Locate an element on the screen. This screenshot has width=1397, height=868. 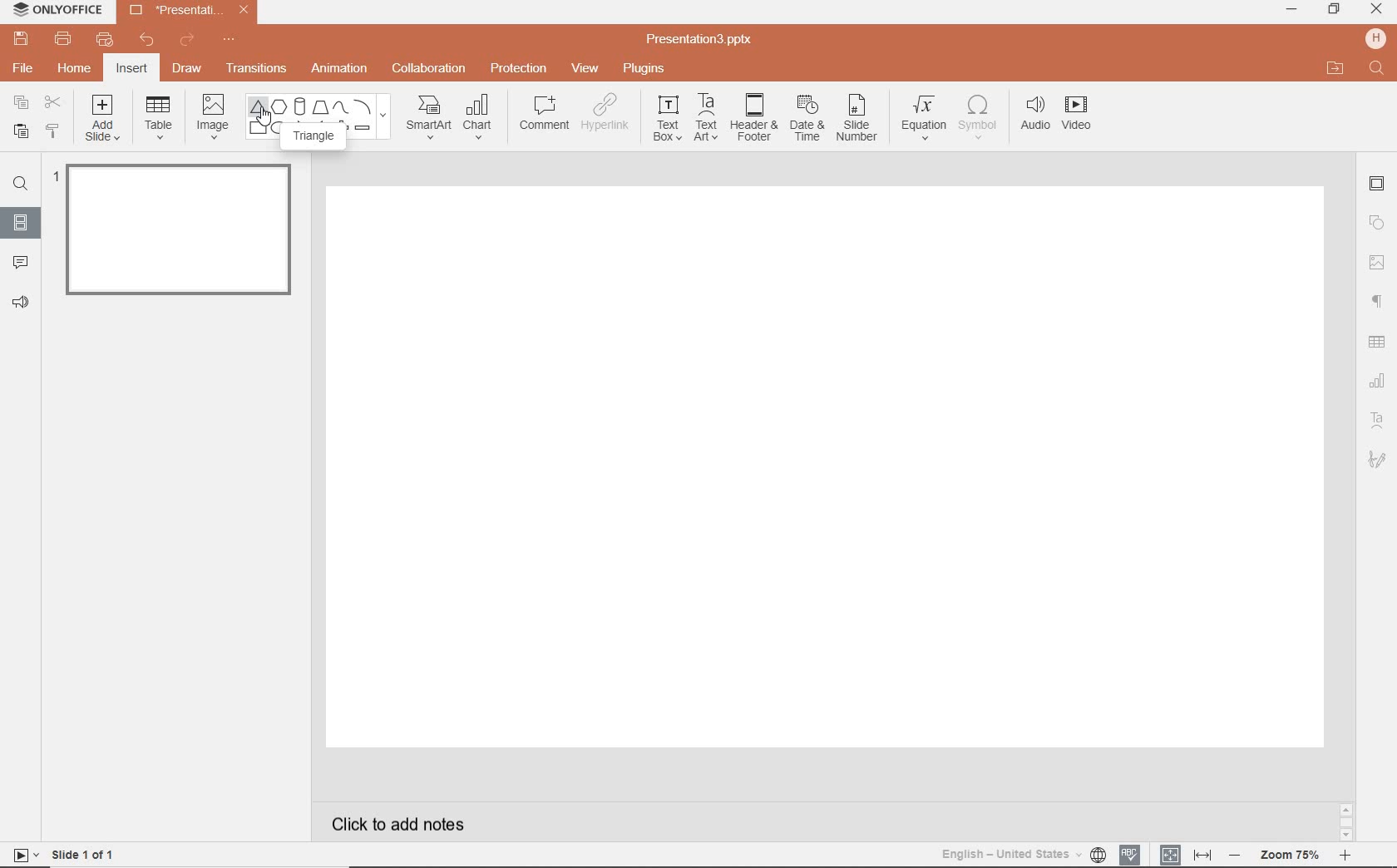
FIT TO SLIDE is located at coordinates (1169, 856).